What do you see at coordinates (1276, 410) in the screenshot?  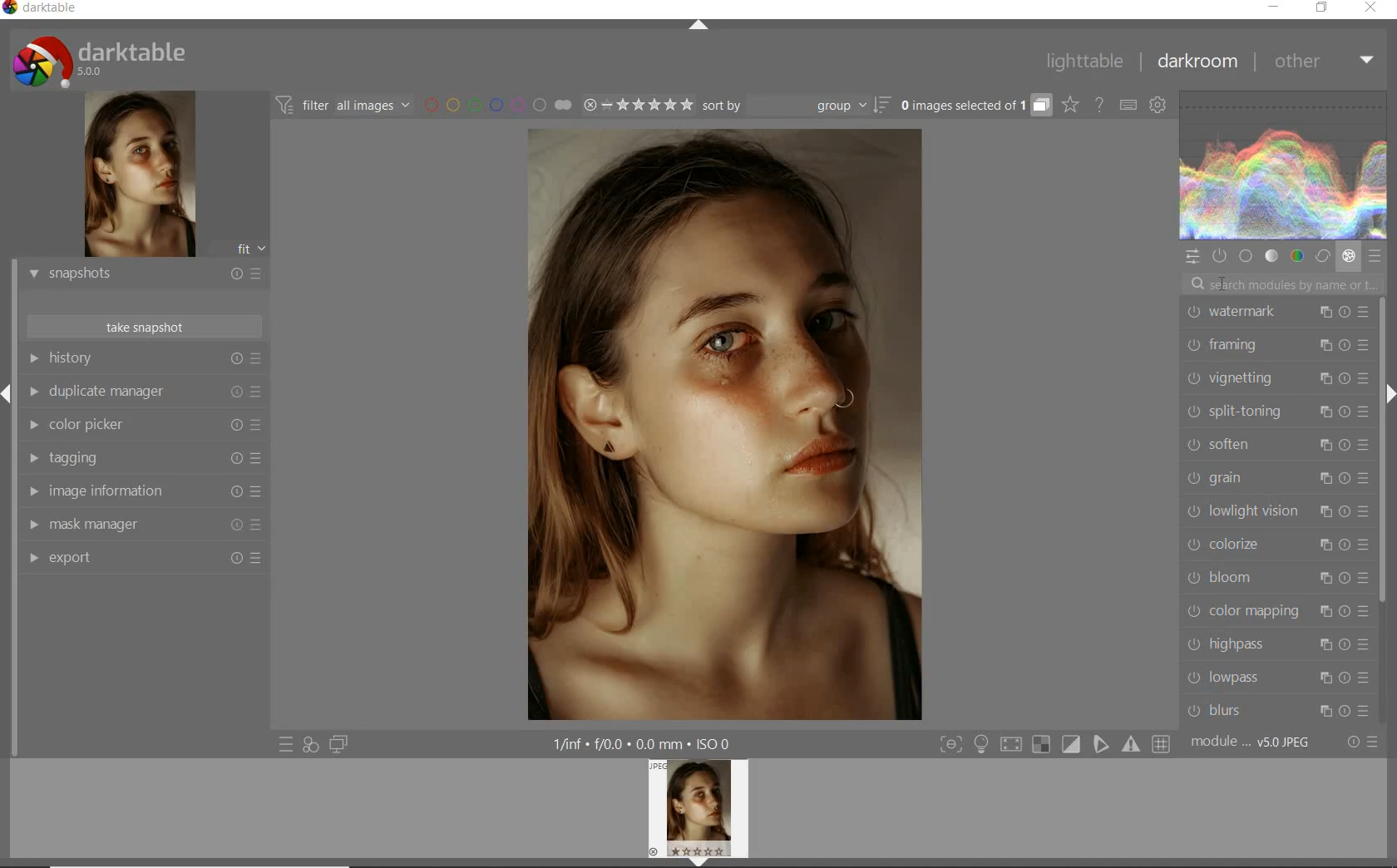 I see `split-toning` at bounding box center [1276, 410].